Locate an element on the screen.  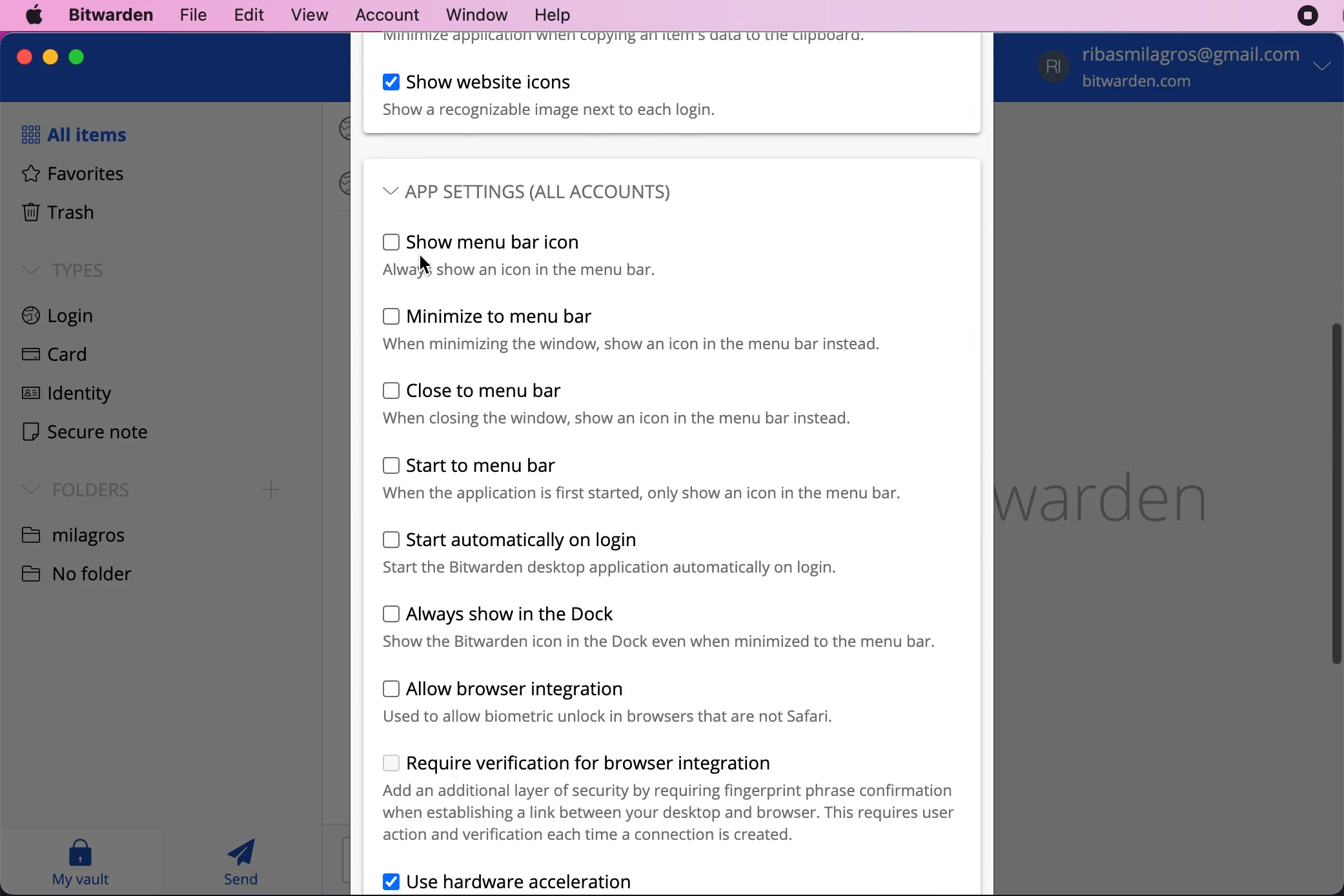
minimize when copying to clipboard is located at coordinates (622, 40).